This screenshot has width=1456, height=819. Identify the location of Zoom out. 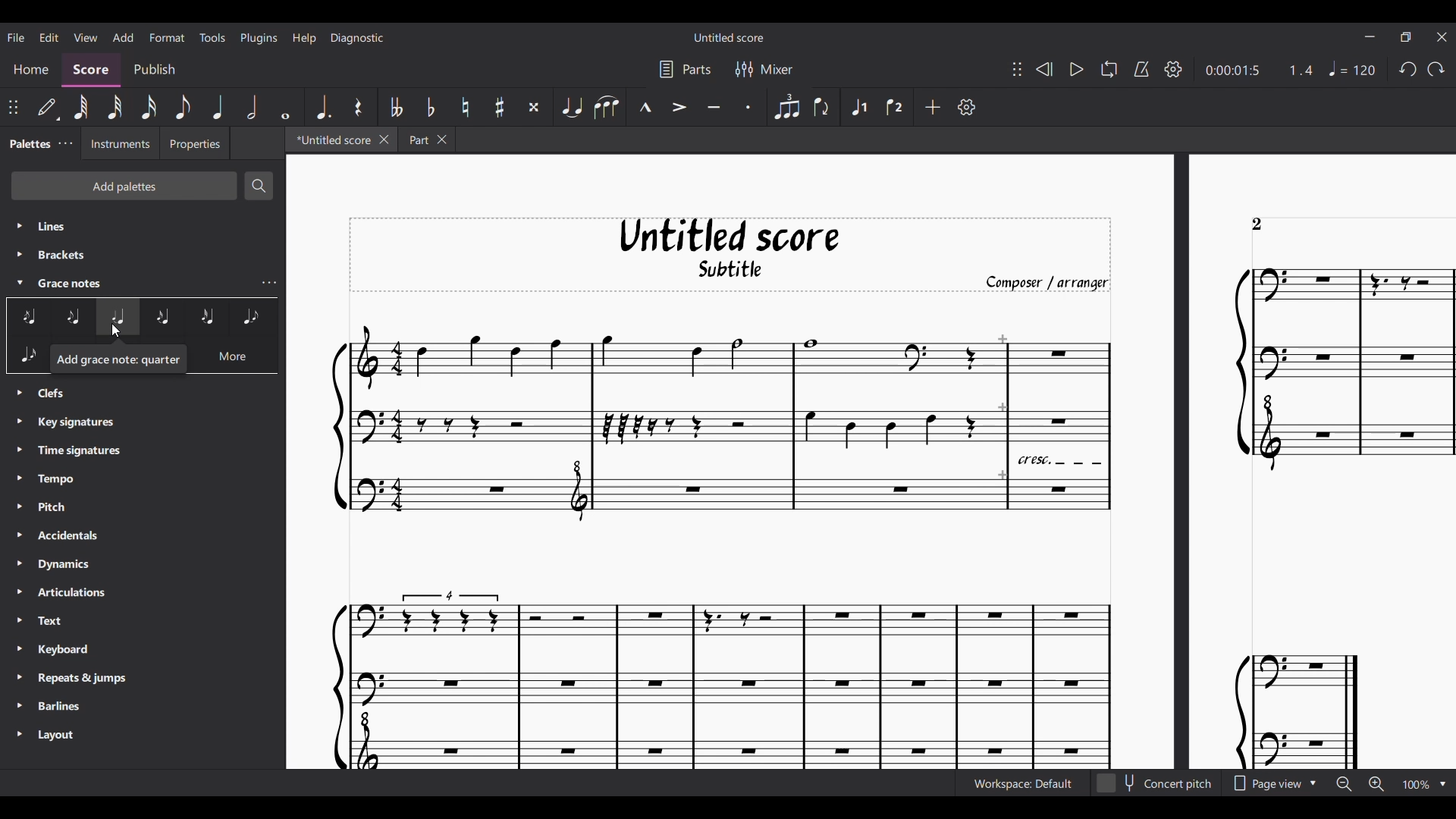
(1344, 784).